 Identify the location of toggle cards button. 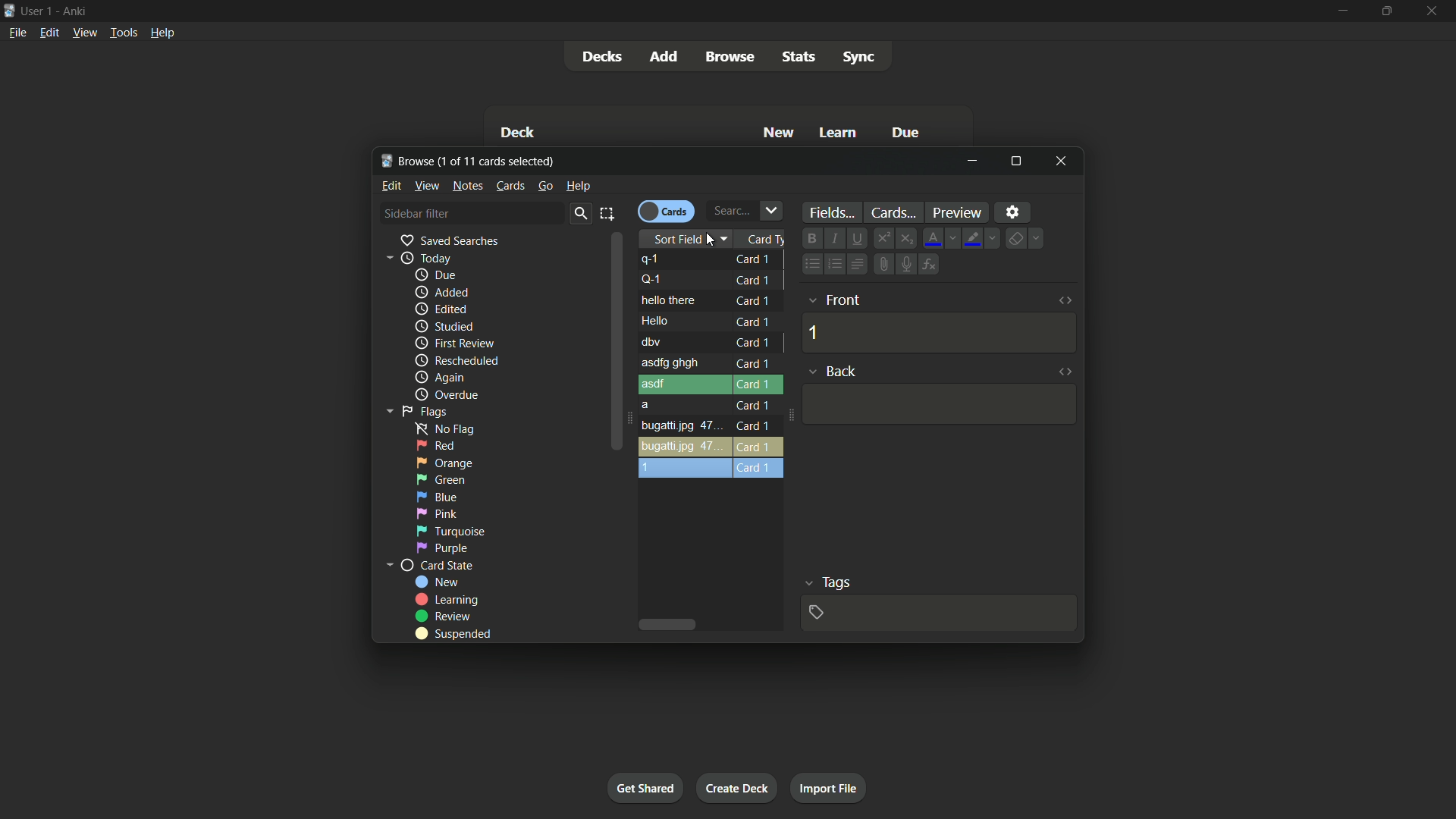
(666, 211).